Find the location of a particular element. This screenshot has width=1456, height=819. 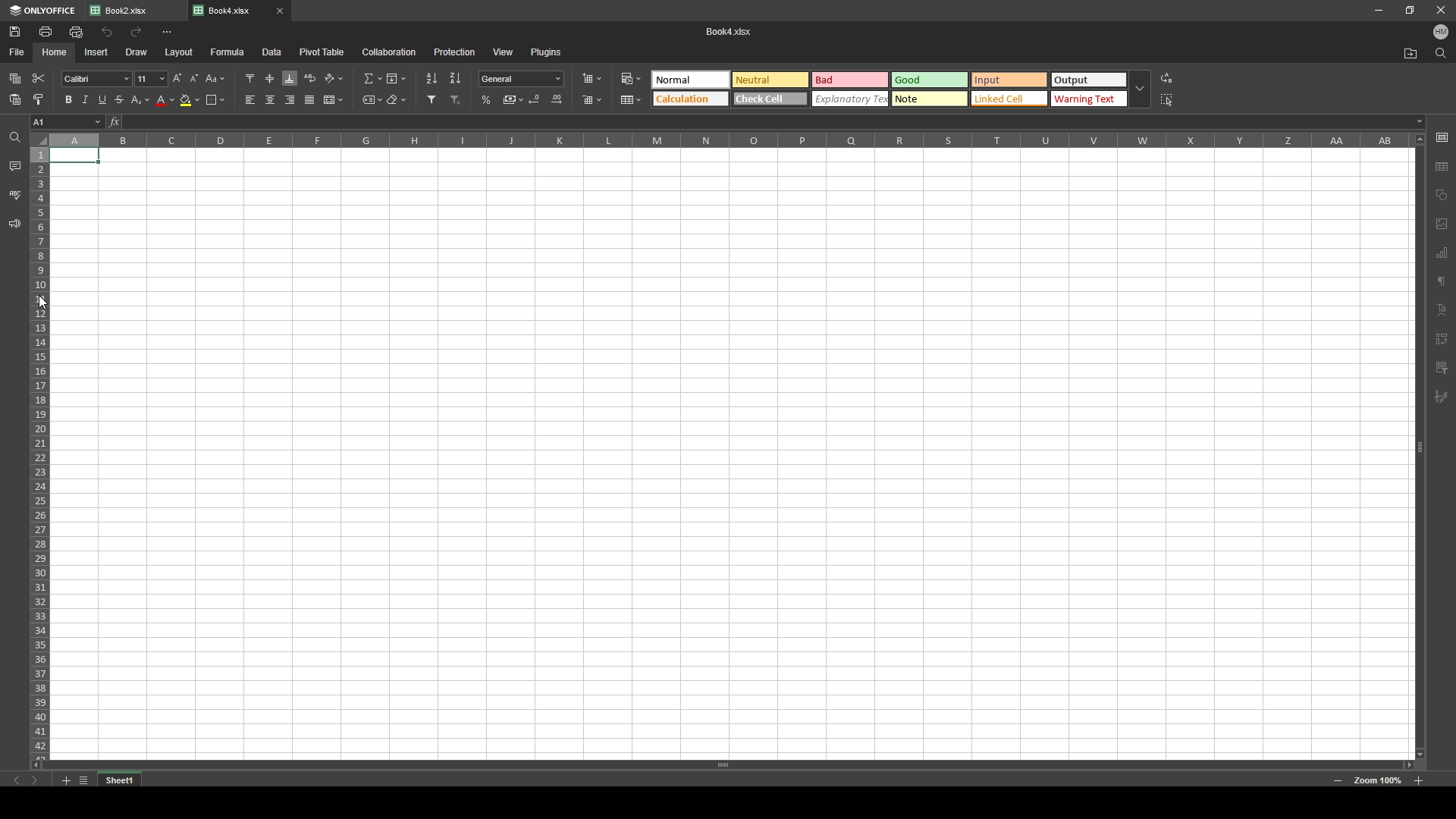

add sheets is located at coordinates (65, 780).